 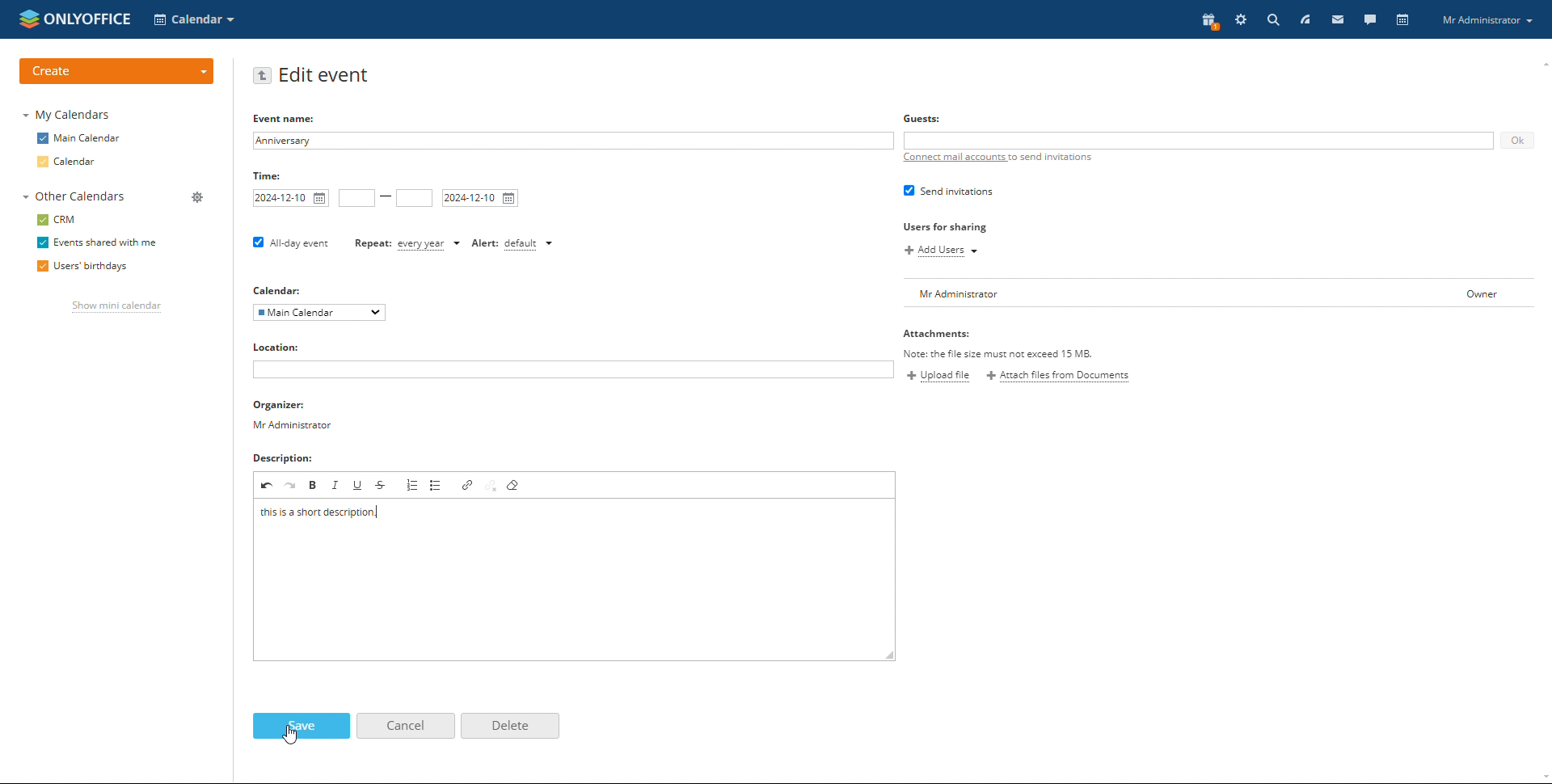 I want to click on send invitations, so click(x=951, y=190).